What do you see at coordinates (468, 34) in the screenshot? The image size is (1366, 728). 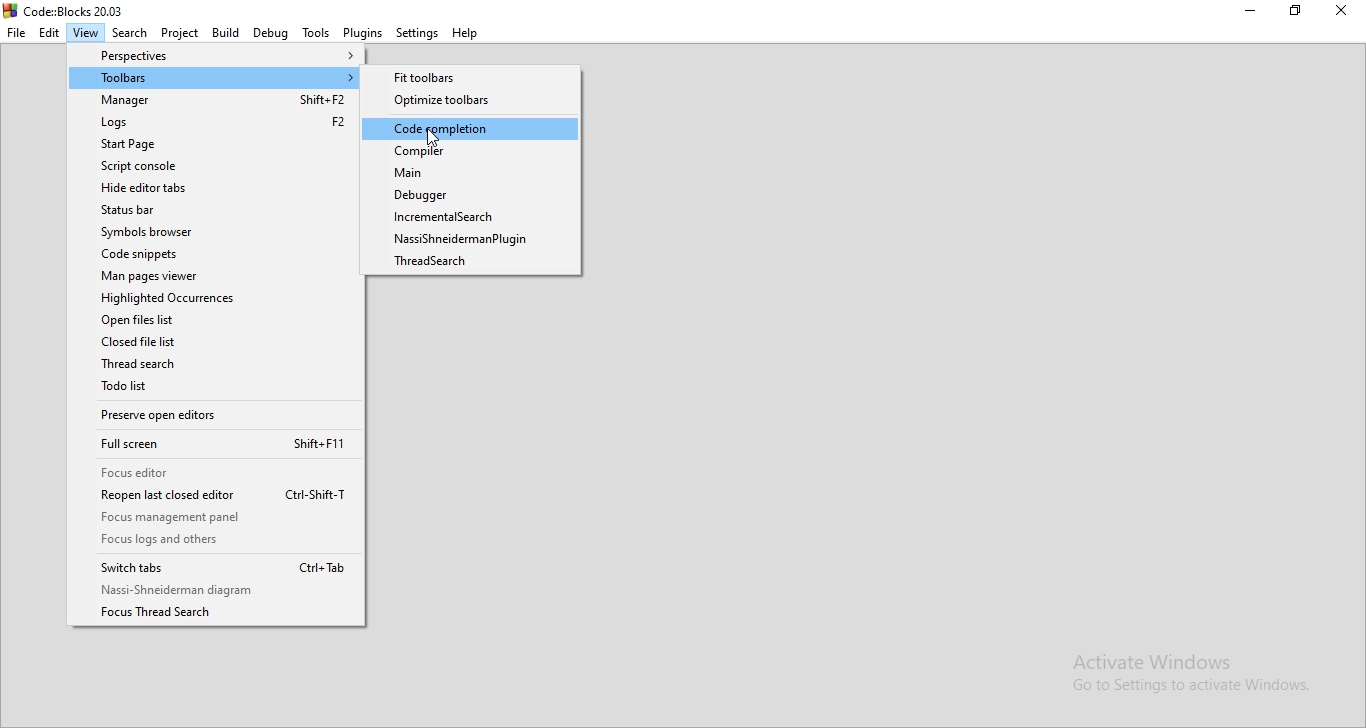 I see `Help` at bounding box center [468, 34].